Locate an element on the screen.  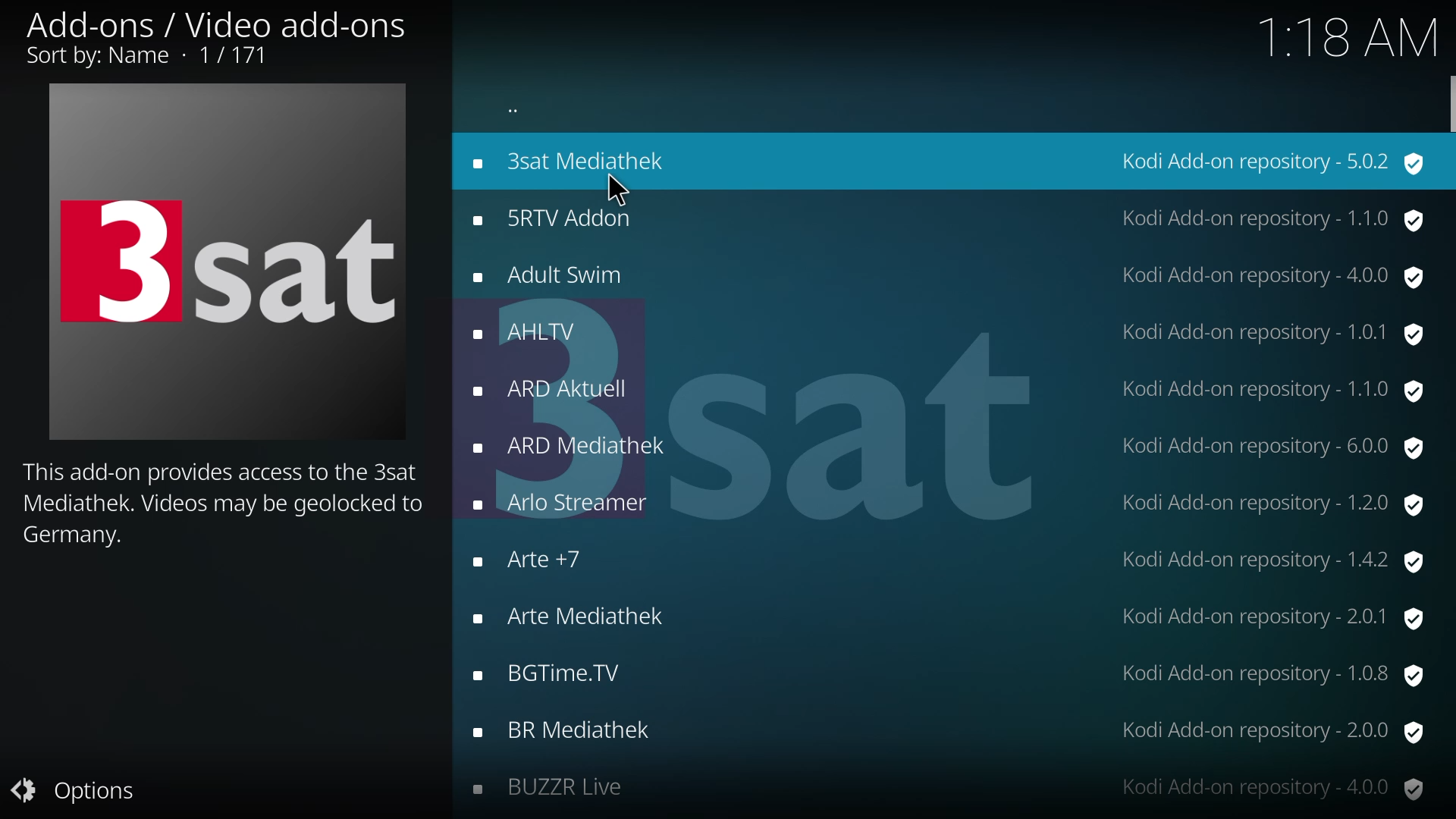
version is located at coordinates (1266, 730).